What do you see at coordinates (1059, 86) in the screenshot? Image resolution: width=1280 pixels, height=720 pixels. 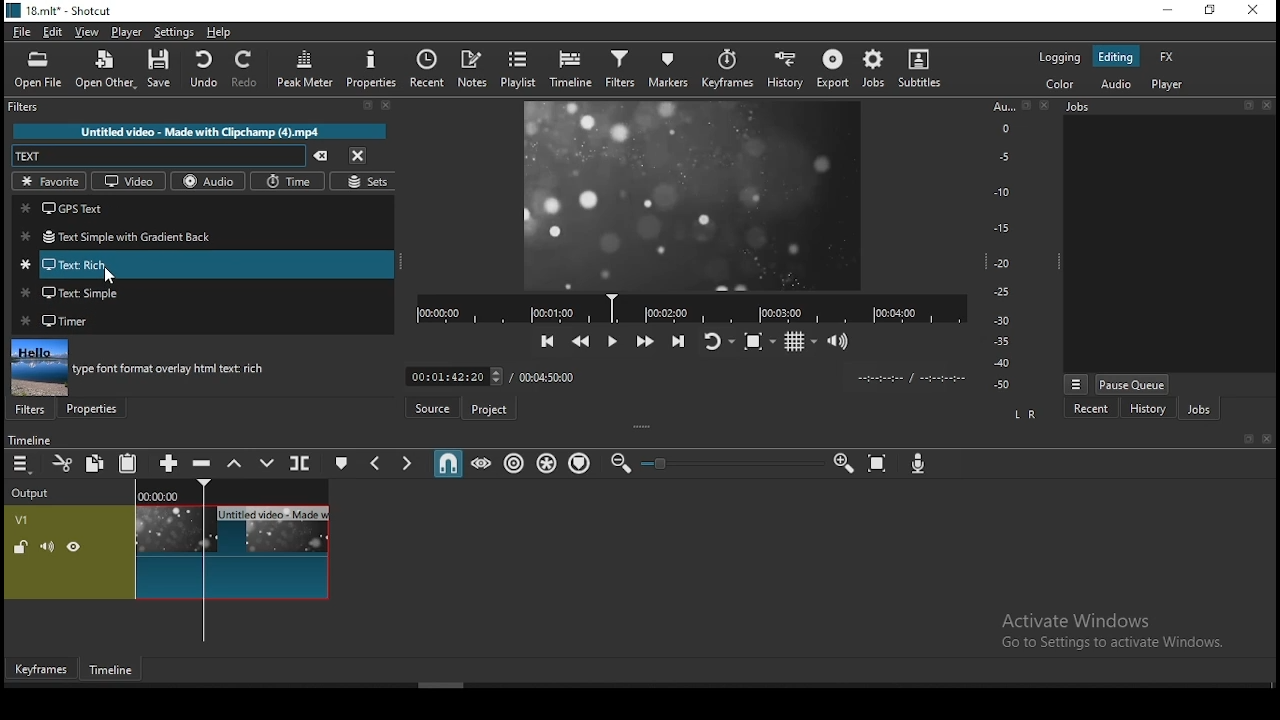 I see `color` at bounding box center [1059, 86].